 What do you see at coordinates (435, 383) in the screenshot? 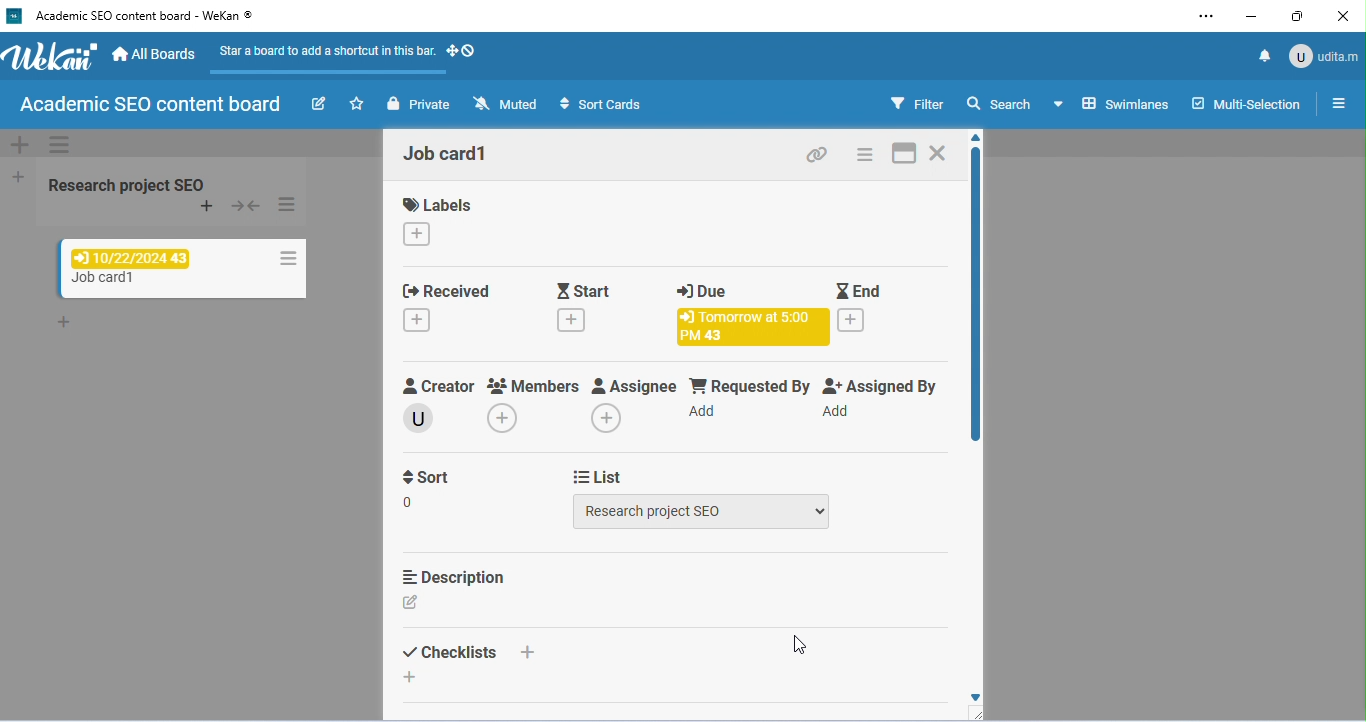
I see `creator` at bounding box center [435, 383].